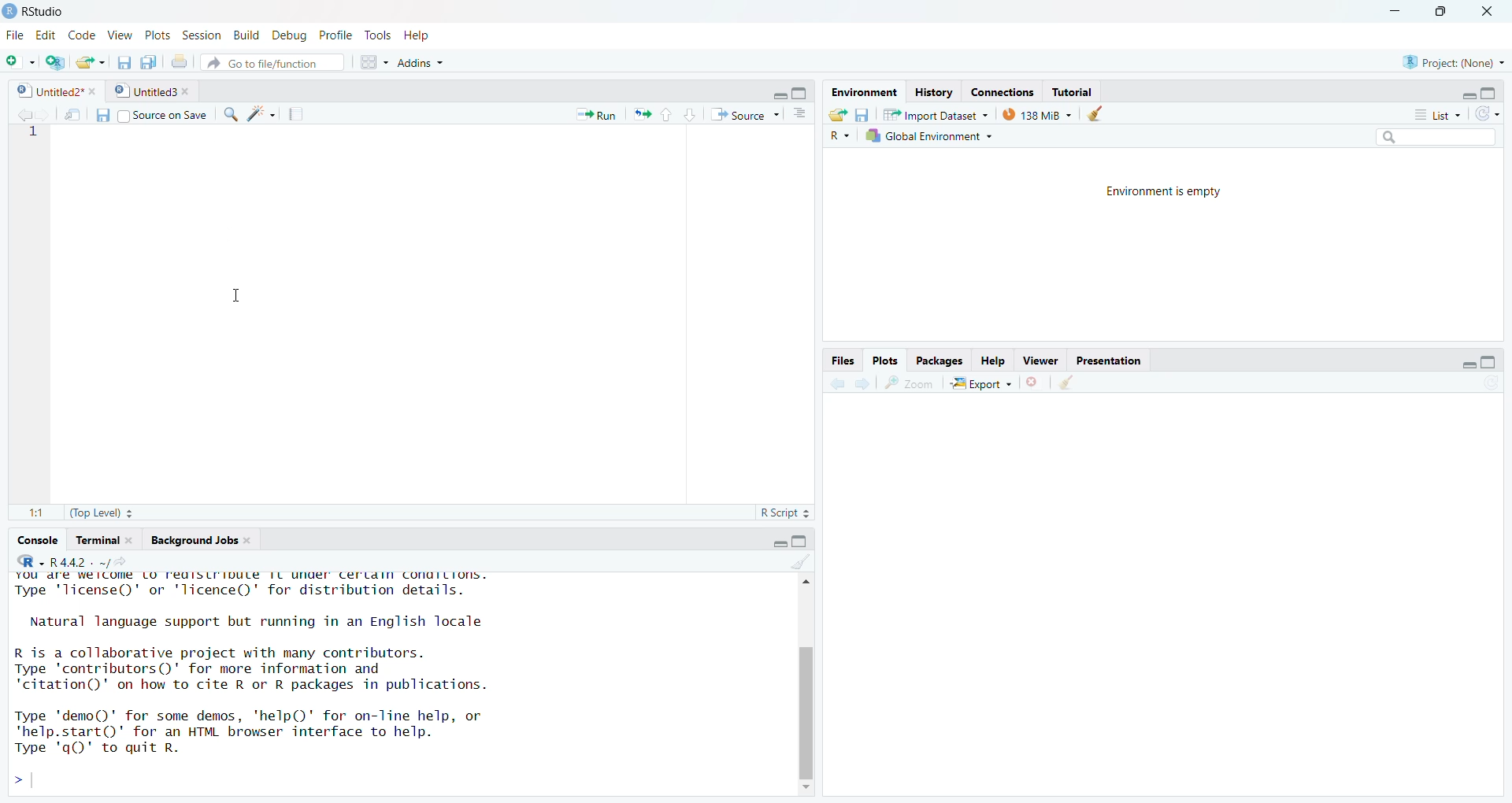  Describe the element at coordinates (810, 683) in the screenshot. I see `Scroll bar` at that location.